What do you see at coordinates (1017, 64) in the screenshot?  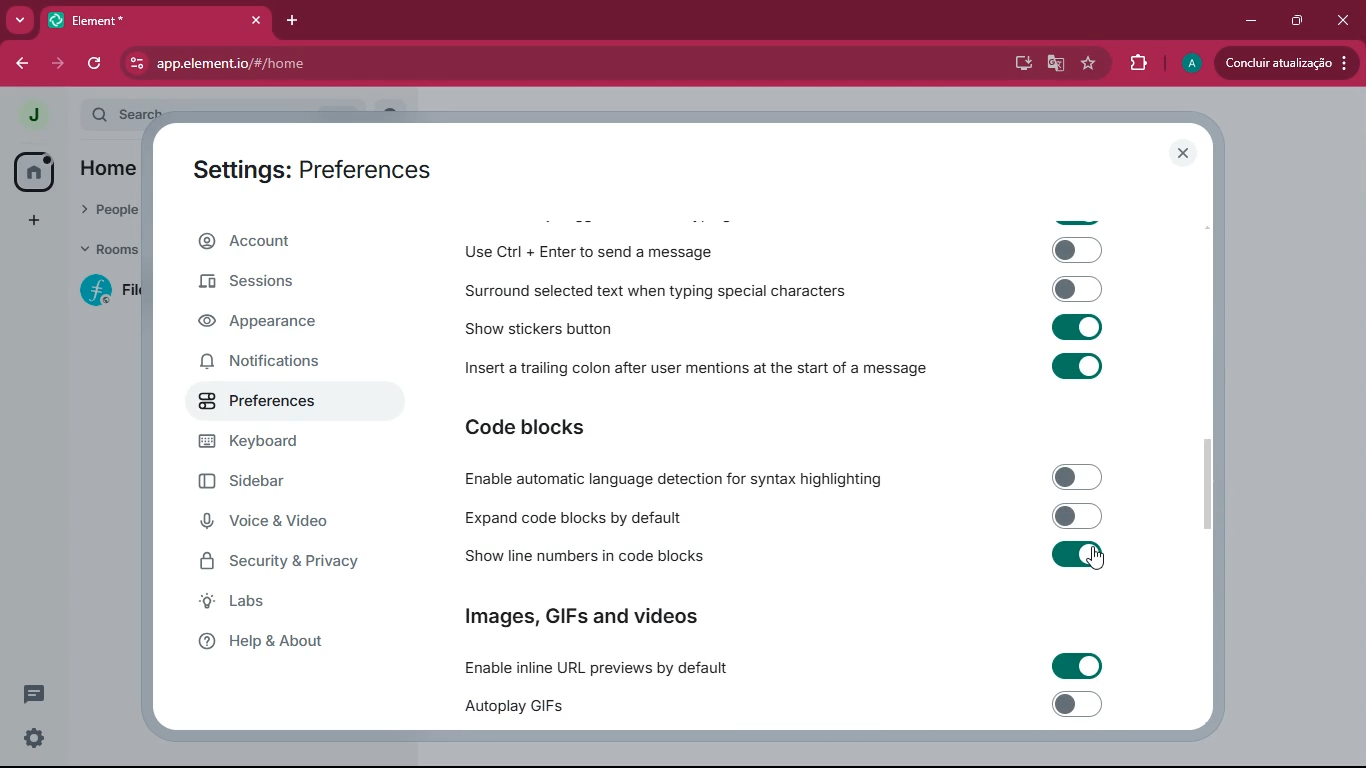 I see `desktop` at bounding box center [1017, 64].